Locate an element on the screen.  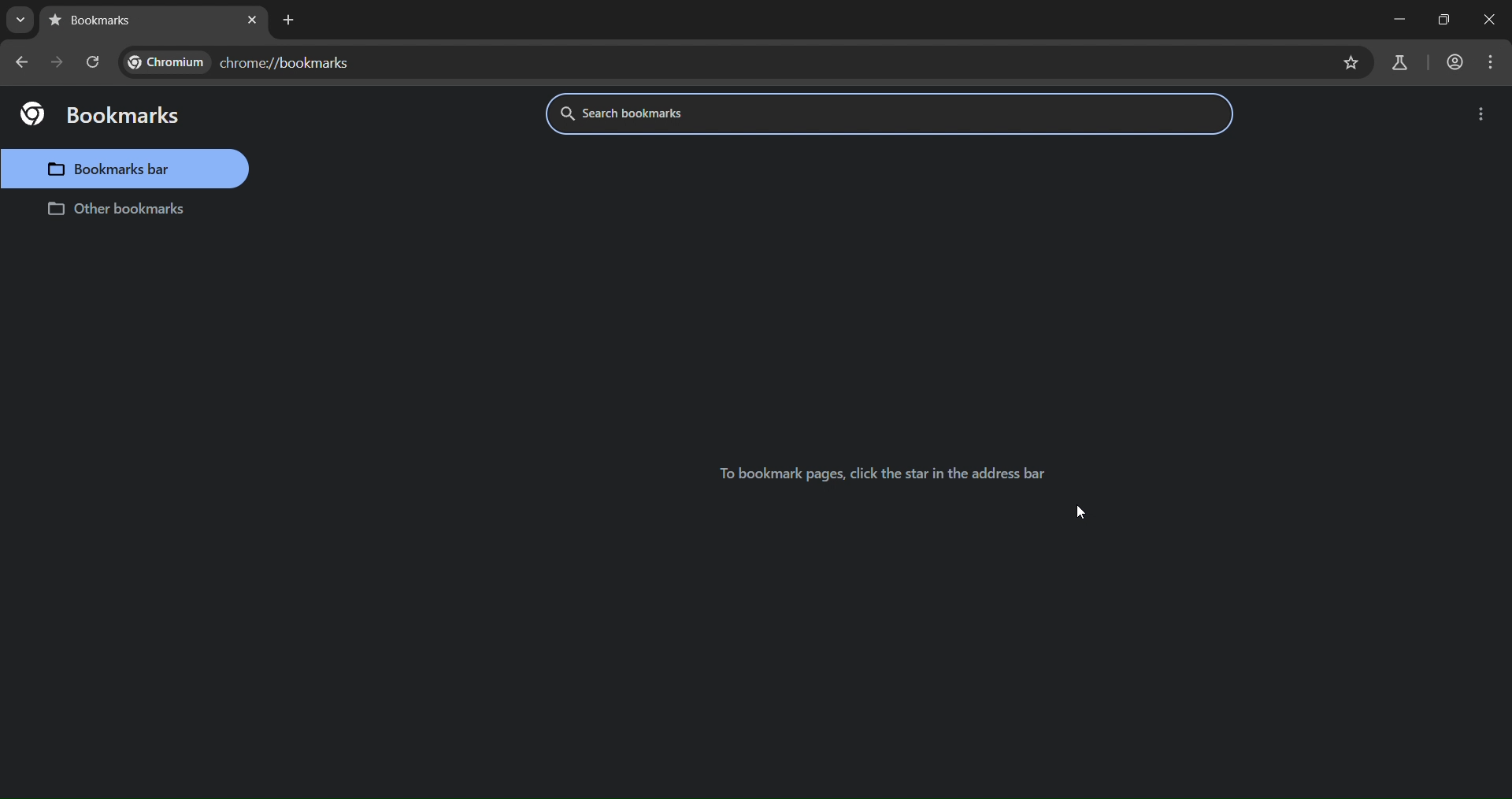
menu is located at coordinates (1483, 116).